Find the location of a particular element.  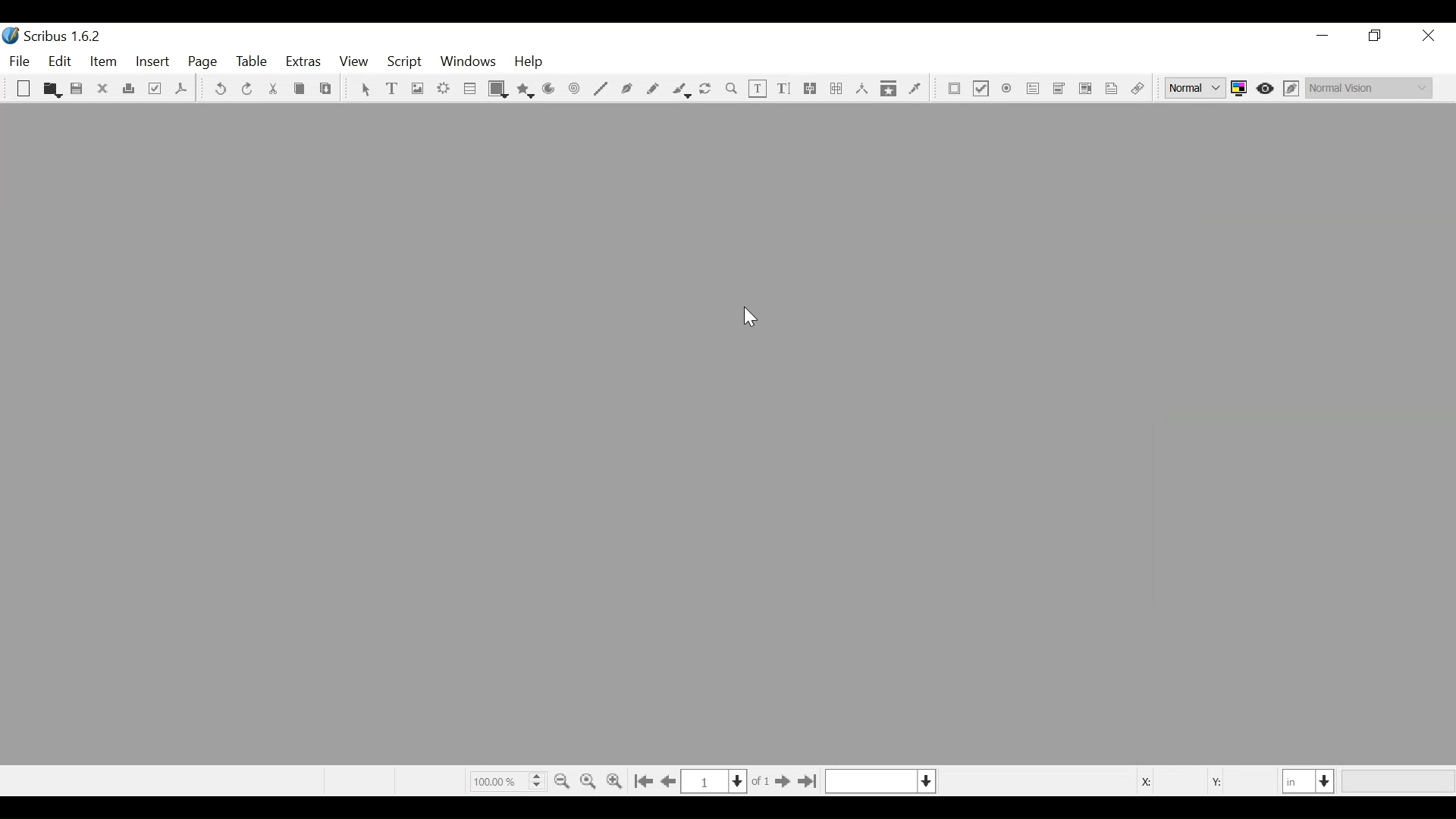

Toggle focus is located at coordinates (1266, 88).